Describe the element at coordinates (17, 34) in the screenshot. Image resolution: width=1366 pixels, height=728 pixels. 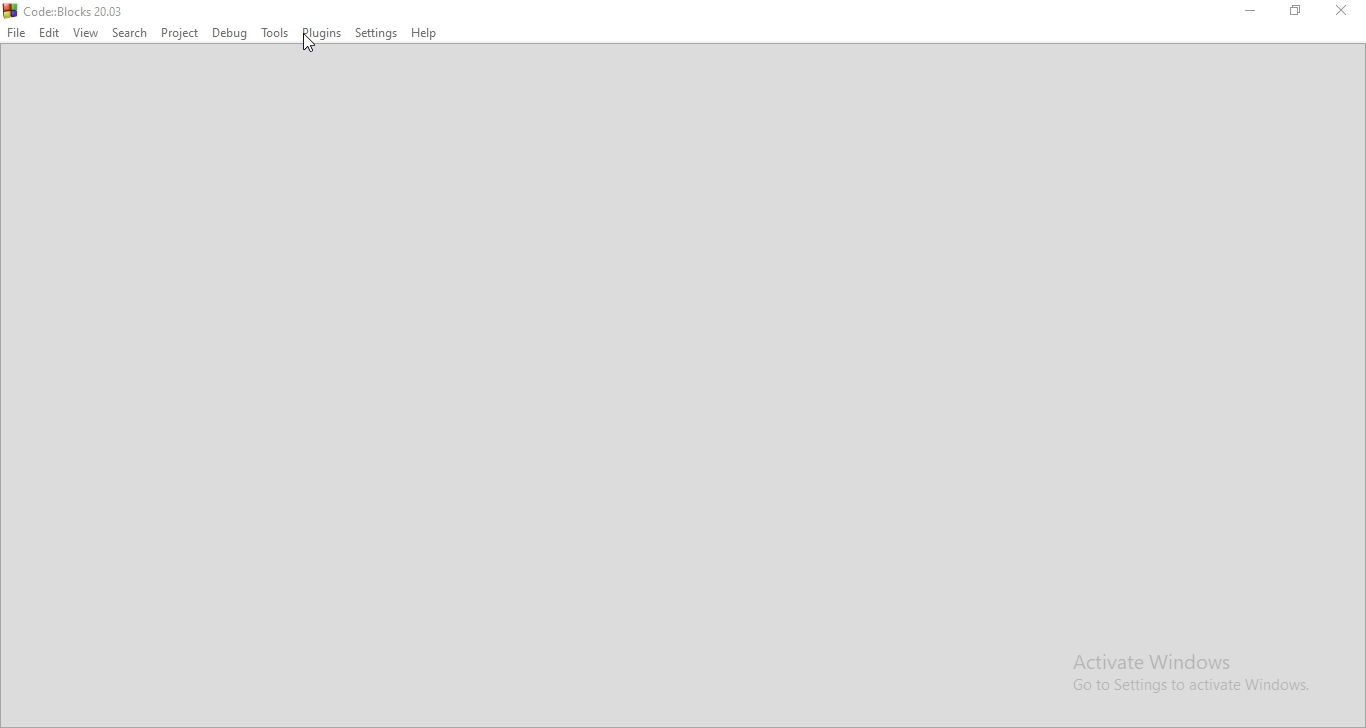
I see `file` at that location.